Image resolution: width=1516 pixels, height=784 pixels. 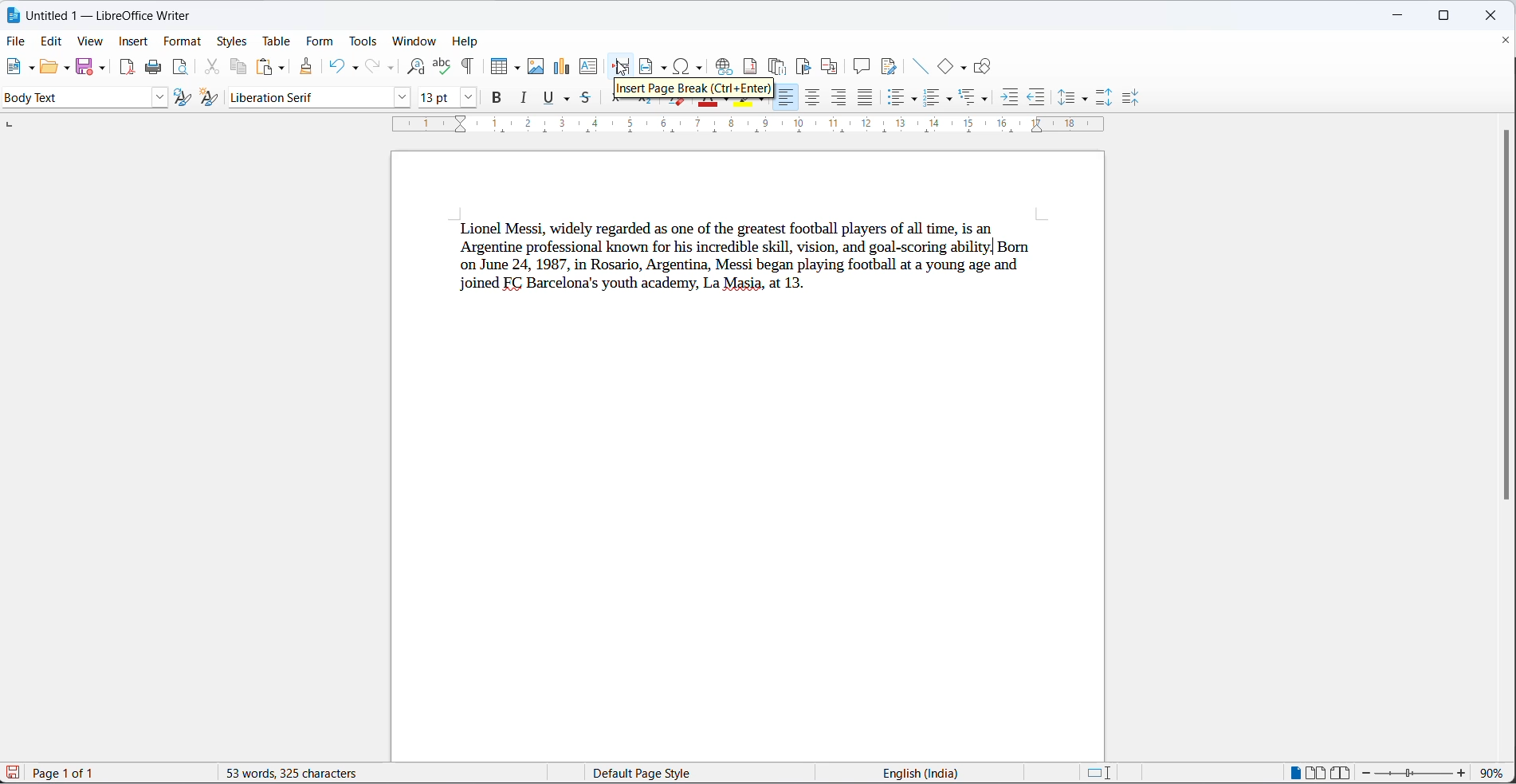 I want to click on standard selection, so click(x=1100, y=774).